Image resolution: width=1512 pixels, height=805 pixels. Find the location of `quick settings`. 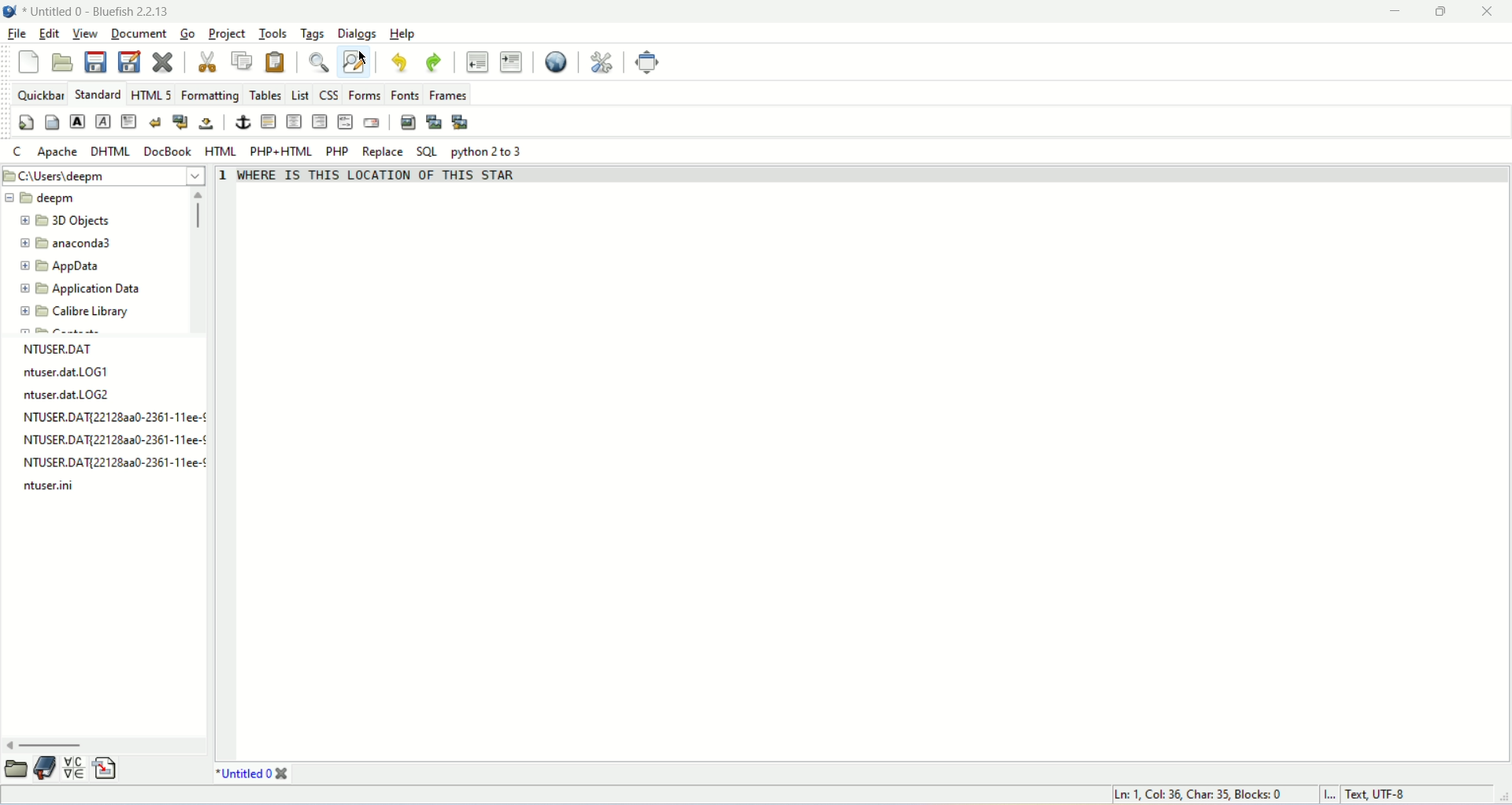

quick settings is located at coordinates (26, 123).